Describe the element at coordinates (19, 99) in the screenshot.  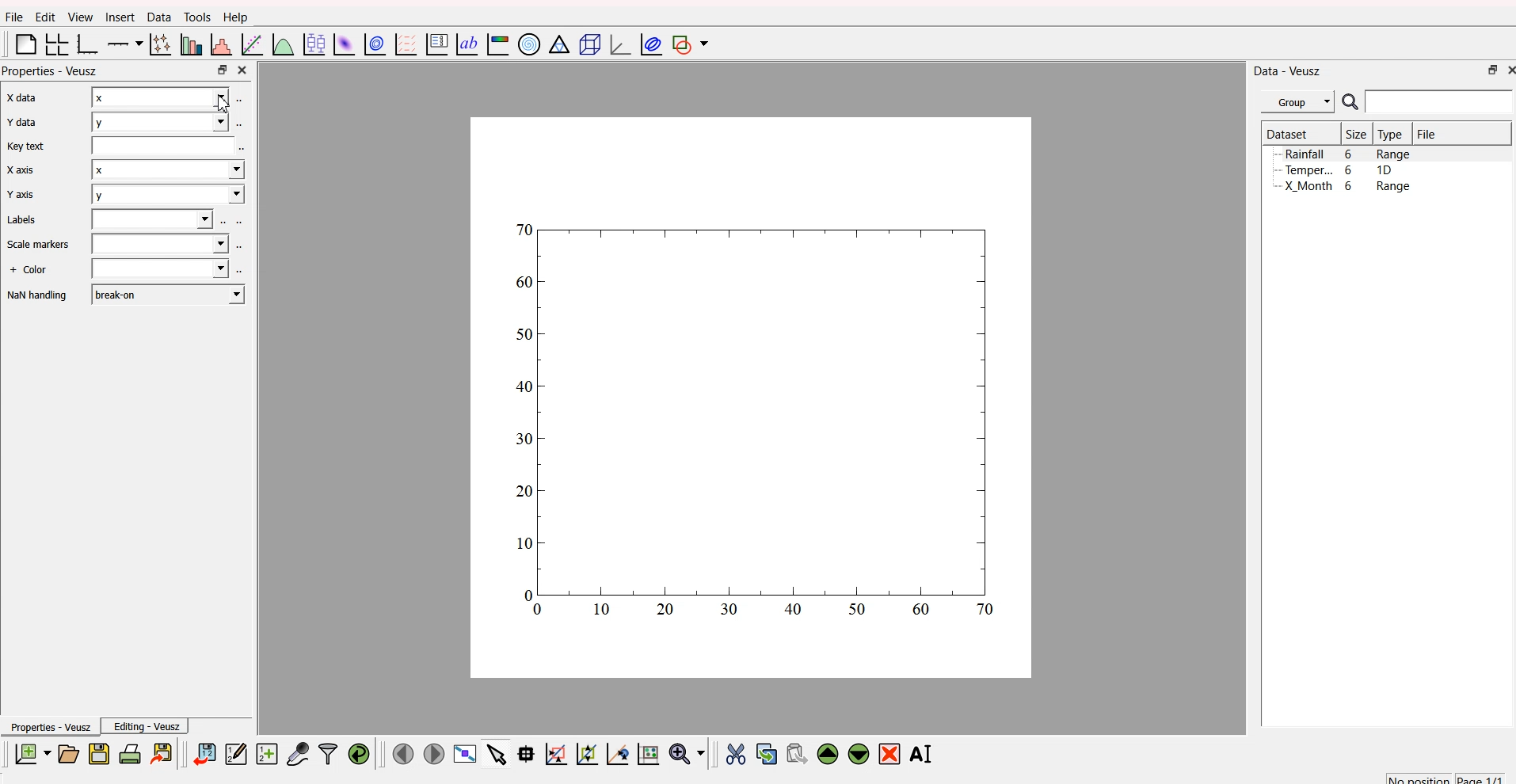
I see `x axis` at that location.